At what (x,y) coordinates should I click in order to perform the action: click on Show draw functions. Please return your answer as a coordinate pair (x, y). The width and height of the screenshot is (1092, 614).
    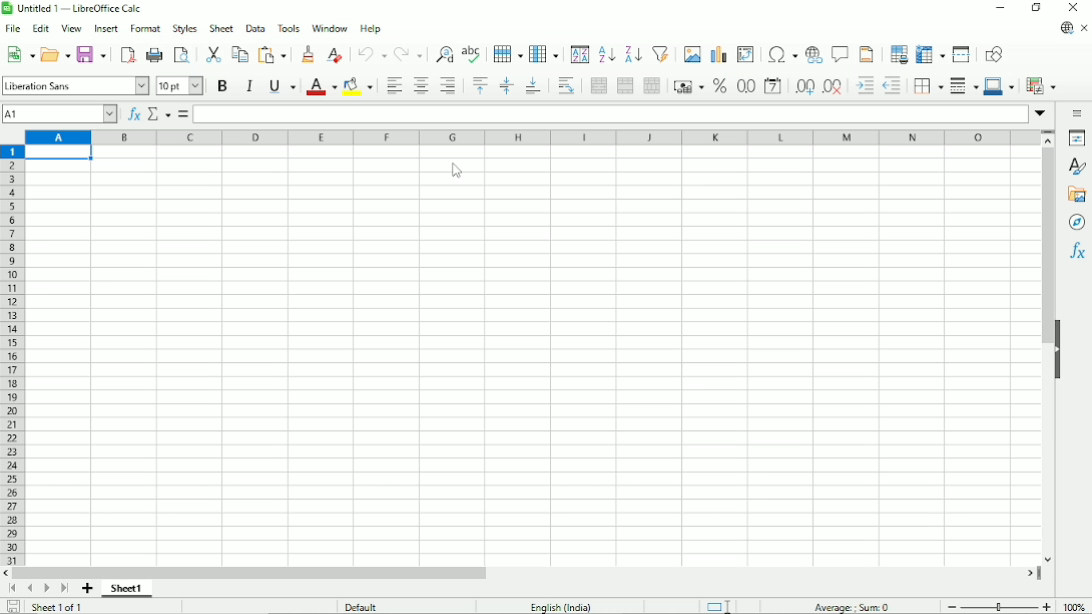
    Looking at the image, I should click on (994, 53).